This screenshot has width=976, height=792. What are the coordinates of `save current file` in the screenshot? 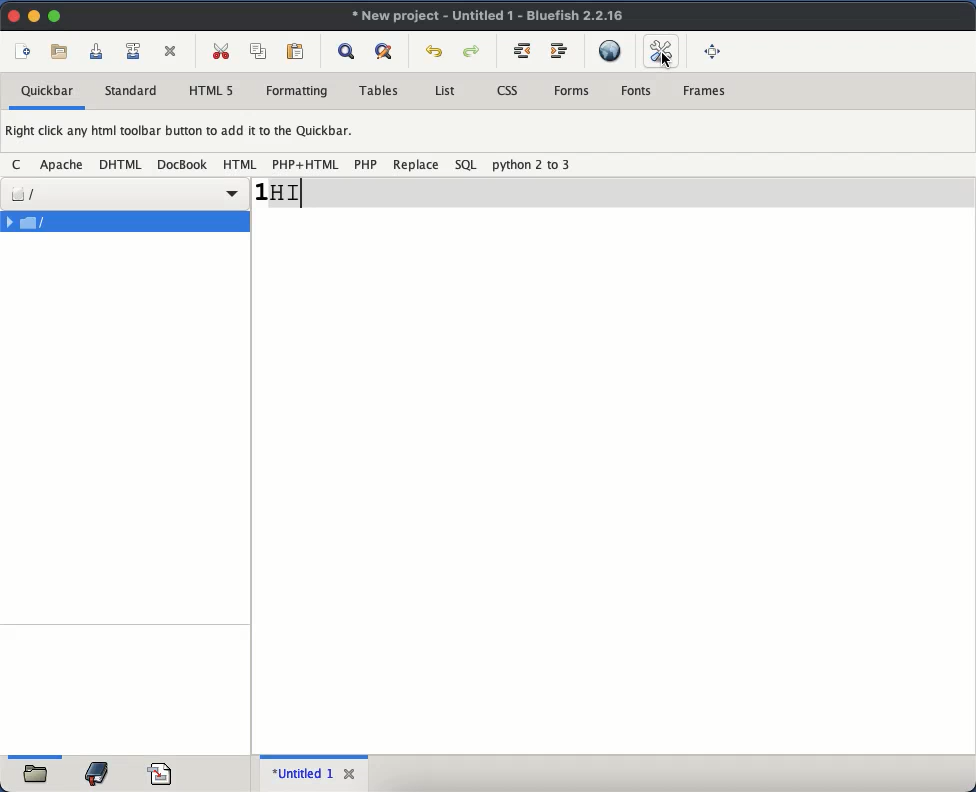 It's located at (96, 50).